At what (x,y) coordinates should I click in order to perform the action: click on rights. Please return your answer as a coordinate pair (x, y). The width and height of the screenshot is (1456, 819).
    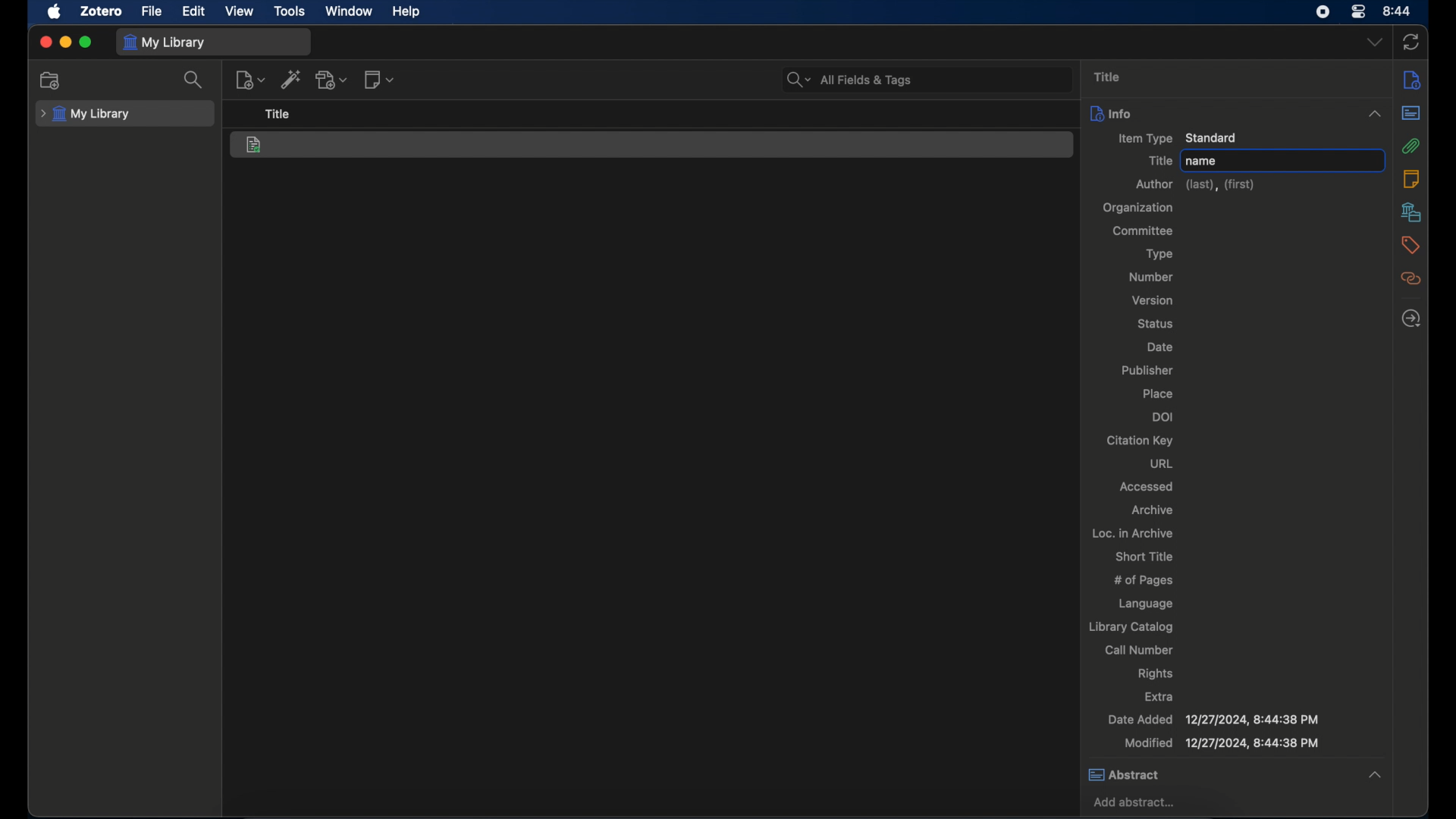
    Looking at the image, I should click on (1156, 674).